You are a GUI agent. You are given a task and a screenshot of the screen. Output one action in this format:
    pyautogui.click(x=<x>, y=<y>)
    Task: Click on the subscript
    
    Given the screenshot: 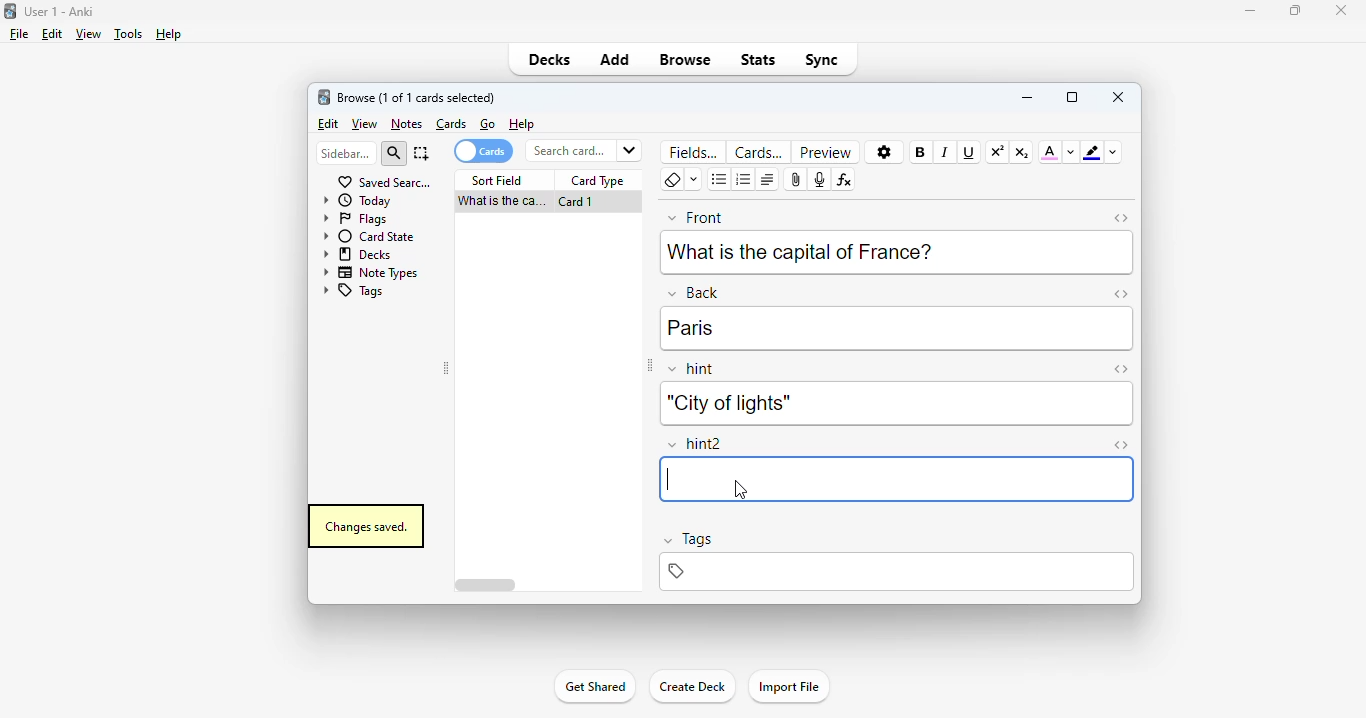 What is the action you would take?
    pyautogui.click(x=1021, y=152)
    